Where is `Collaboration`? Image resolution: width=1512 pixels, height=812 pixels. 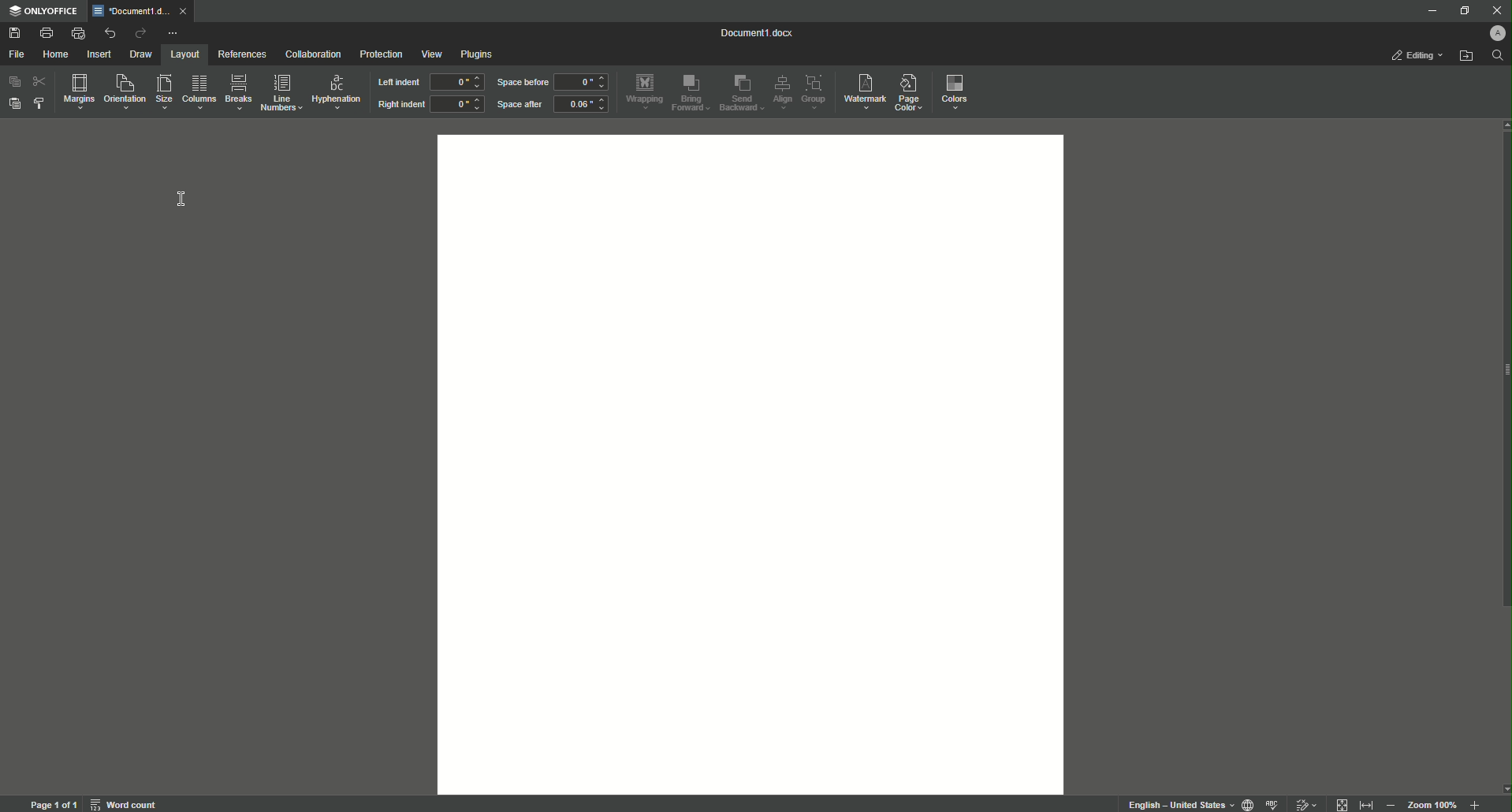
Collaboration is located at coordinates (313, 54).